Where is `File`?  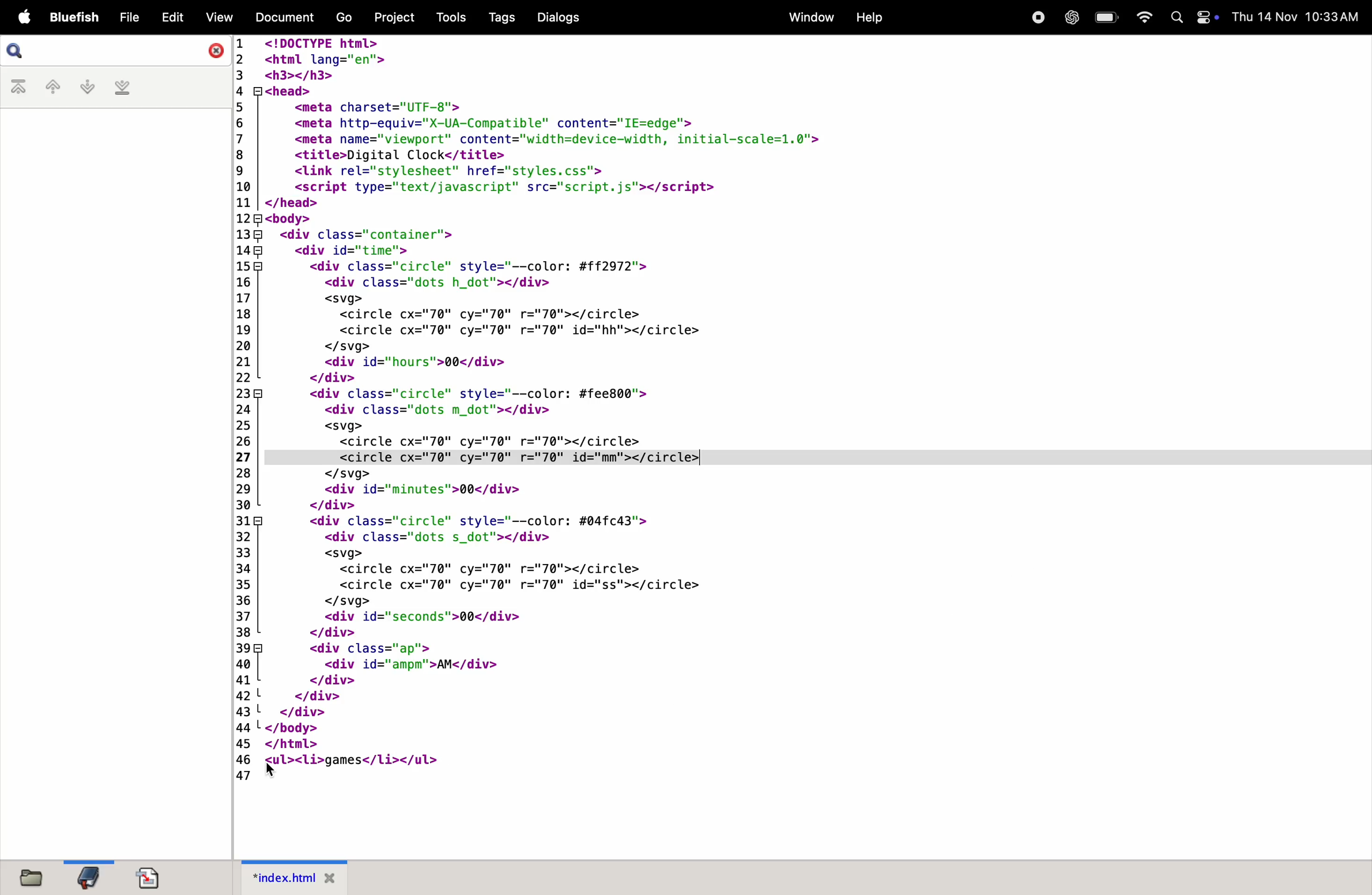 File is located at coordinates (130, 17).